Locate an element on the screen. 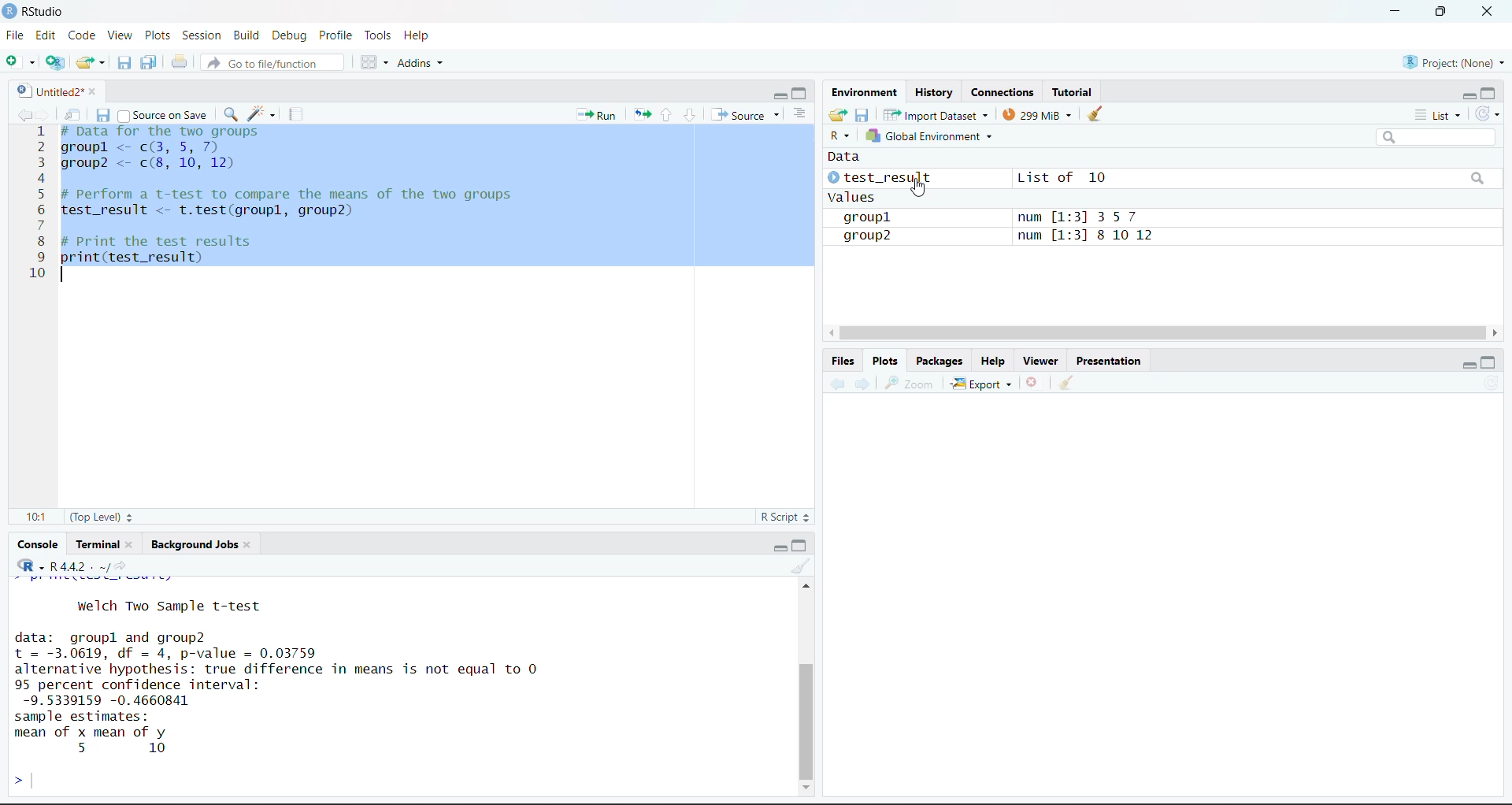 The height and width of the screenshot is (805, 1512). search is located at coordinates (1480, 178).